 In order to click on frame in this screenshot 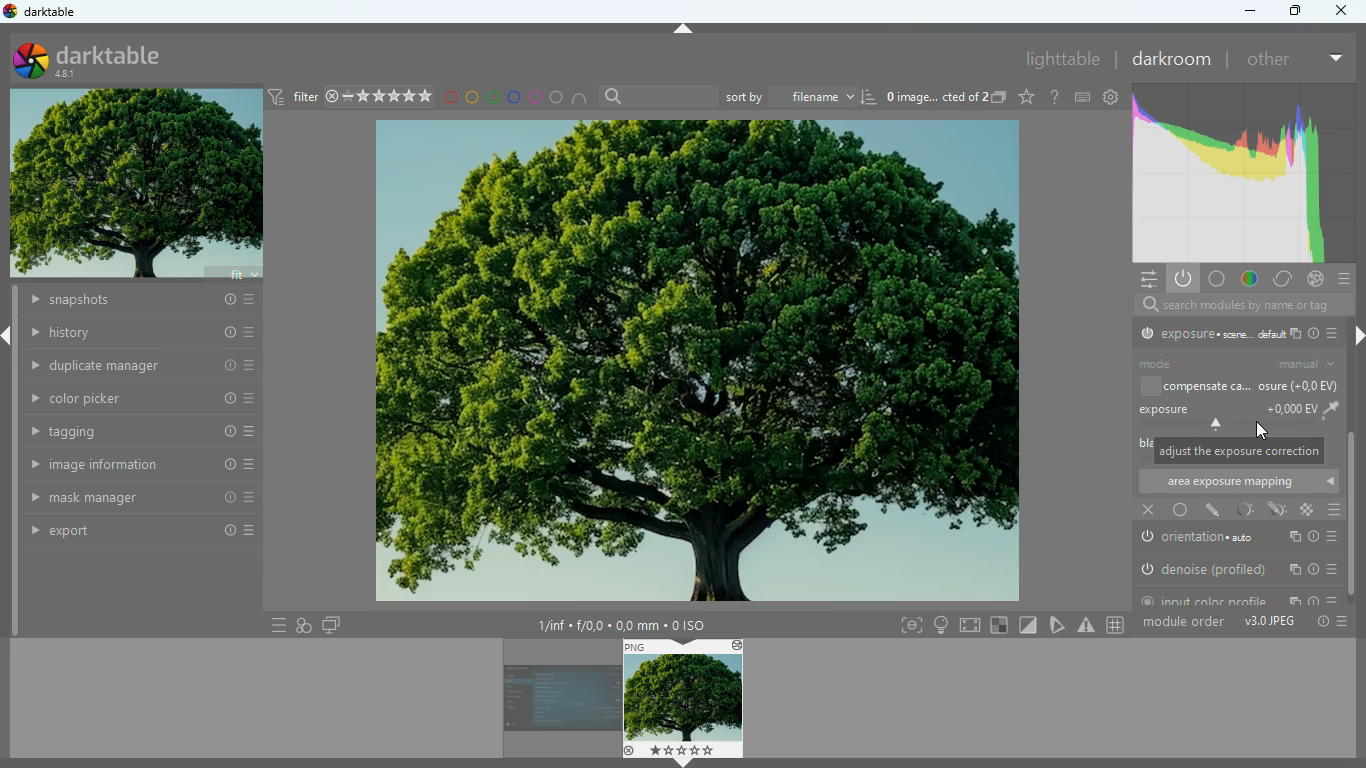, I will do `click(912, 625)`.